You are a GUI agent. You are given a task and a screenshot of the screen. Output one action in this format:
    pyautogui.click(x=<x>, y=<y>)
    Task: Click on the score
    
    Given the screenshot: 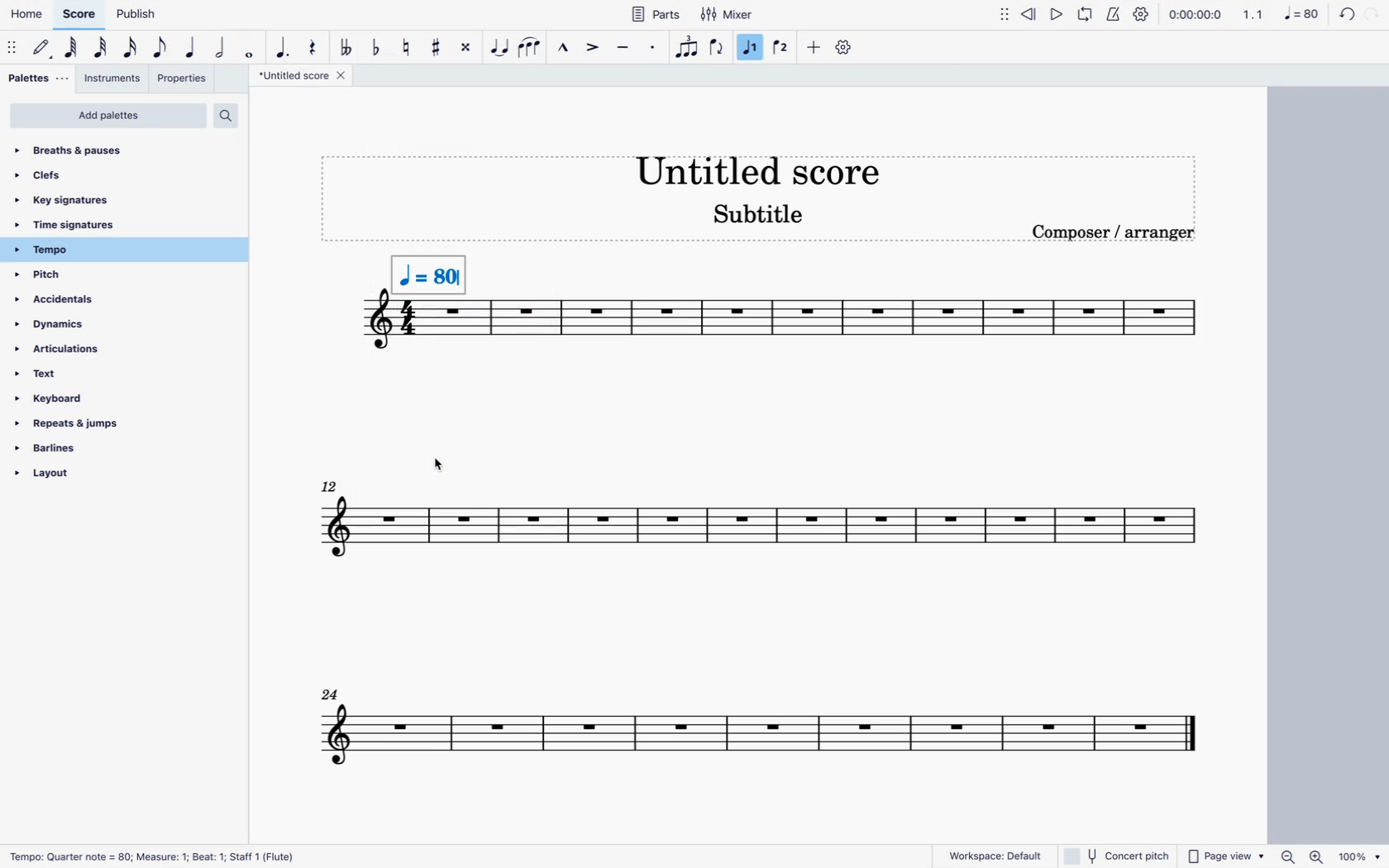 What is the action you would take?
    pyautogui.click(x=765, y=531)
    